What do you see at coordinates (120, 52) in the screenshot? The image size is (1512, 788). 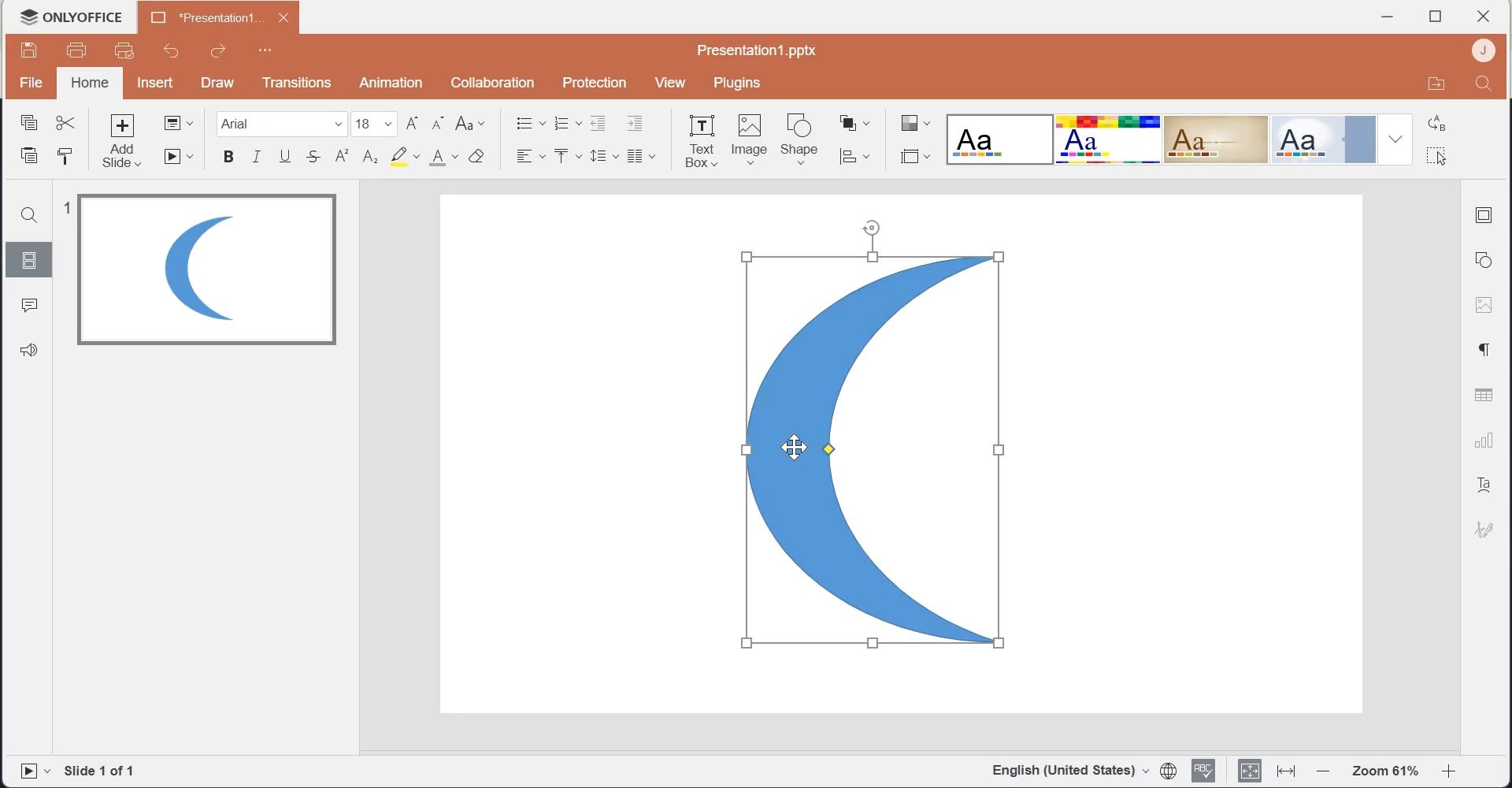 I see `Quick print` at bounding box center [120, 52].